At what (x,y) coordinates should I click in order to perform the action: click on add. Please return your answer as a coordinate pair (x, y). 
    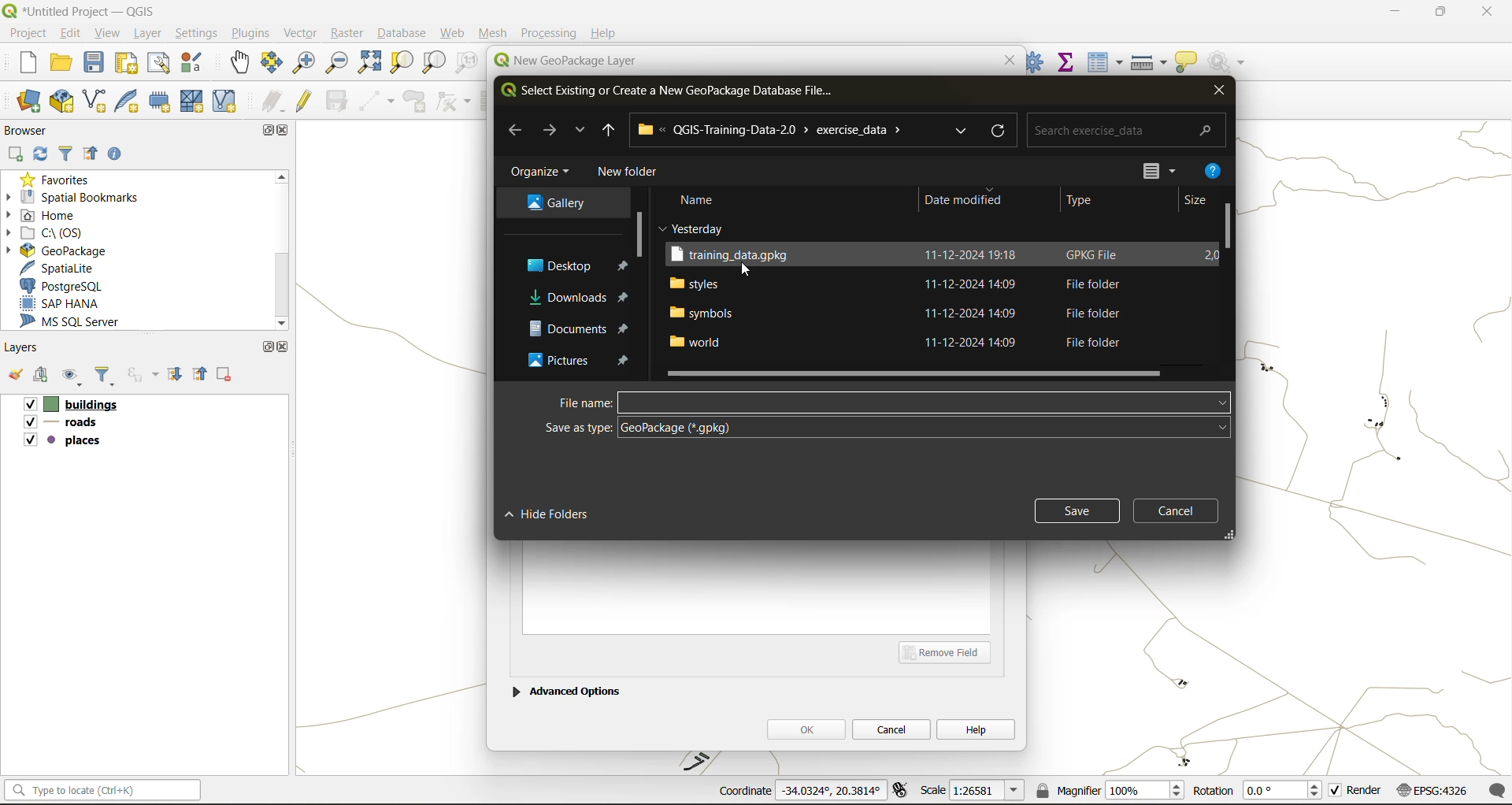
    Looking at the image, I should click on (43, 377).